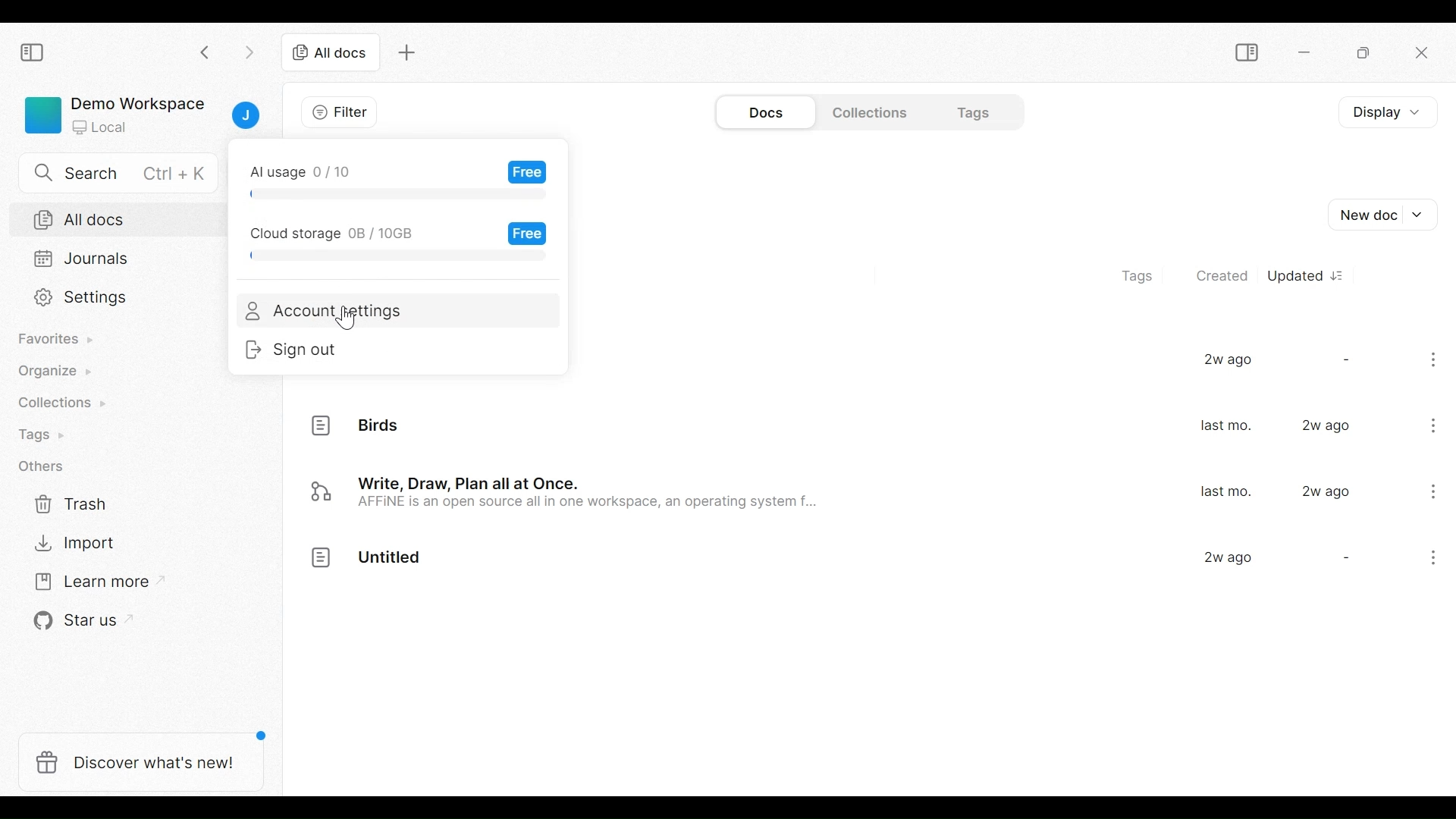 This screenshot has height=819, width=1456. Describe the element at coordinates (1307, 52) in the screenshot. I see `minimize` at that location.